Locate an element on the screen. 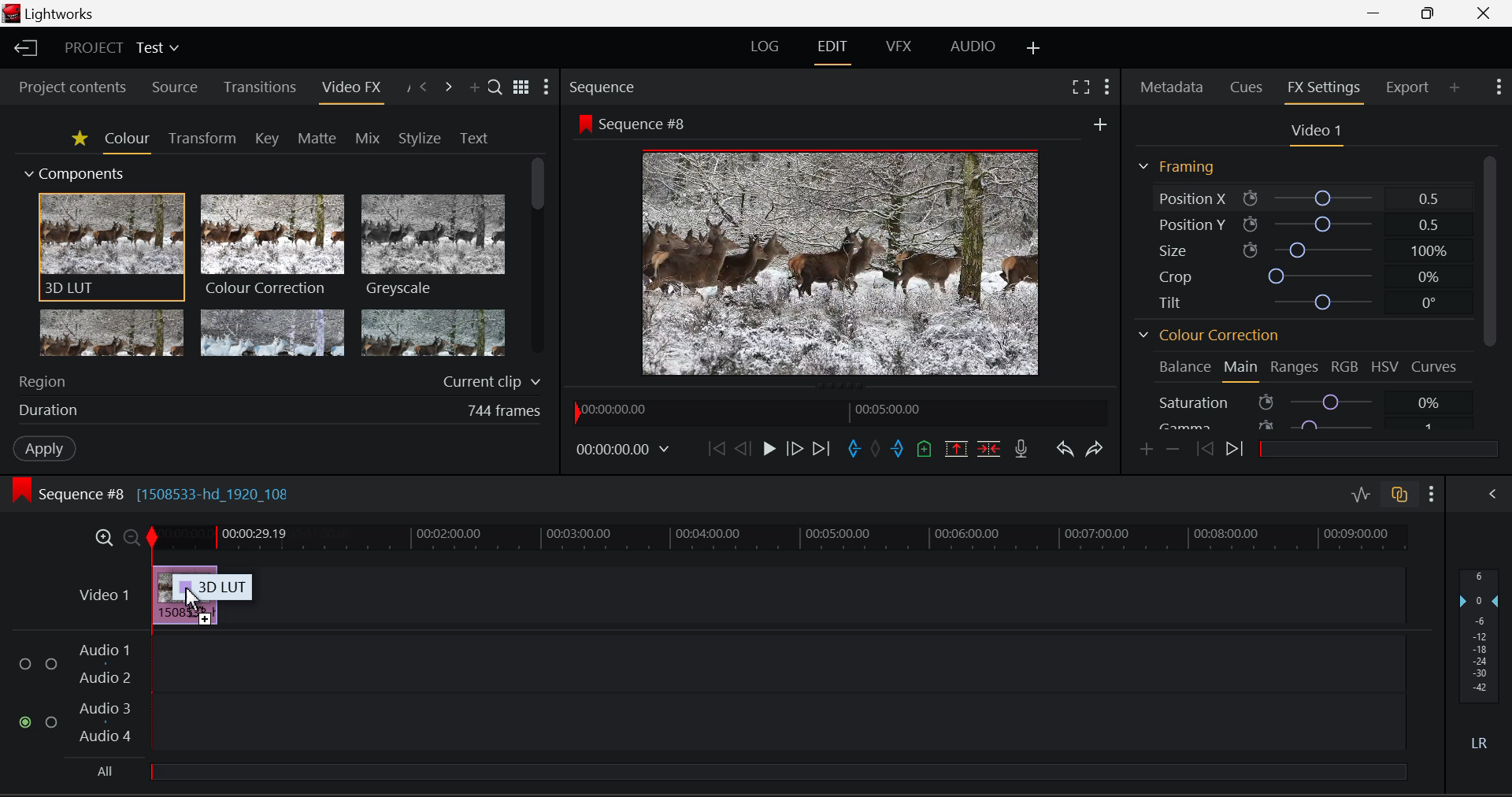 Image resolution: width=1512 pixels, height=797 pixels. Close is located at coordinates (1489, 13).